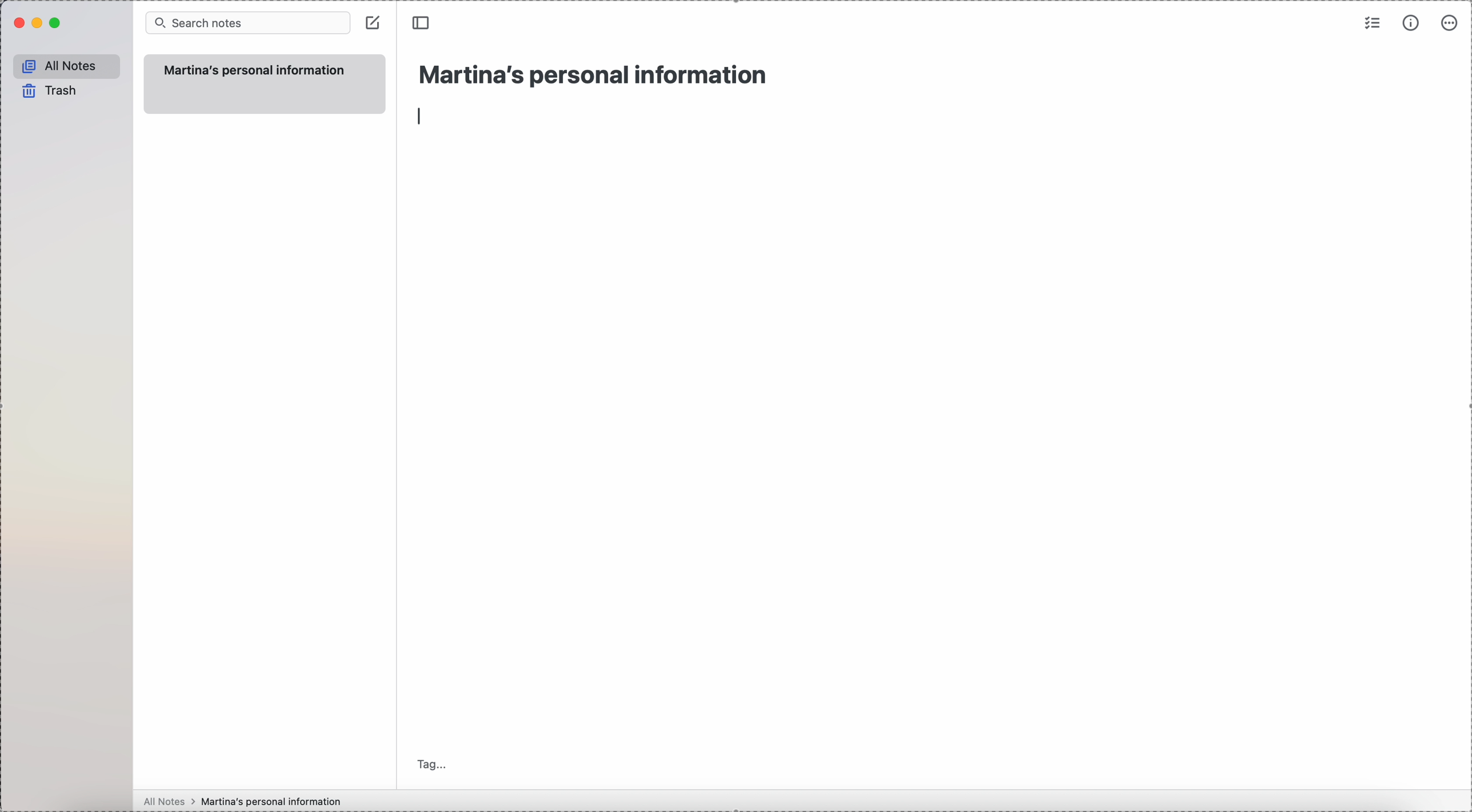  I want to click on more options, so click(1448, 24).